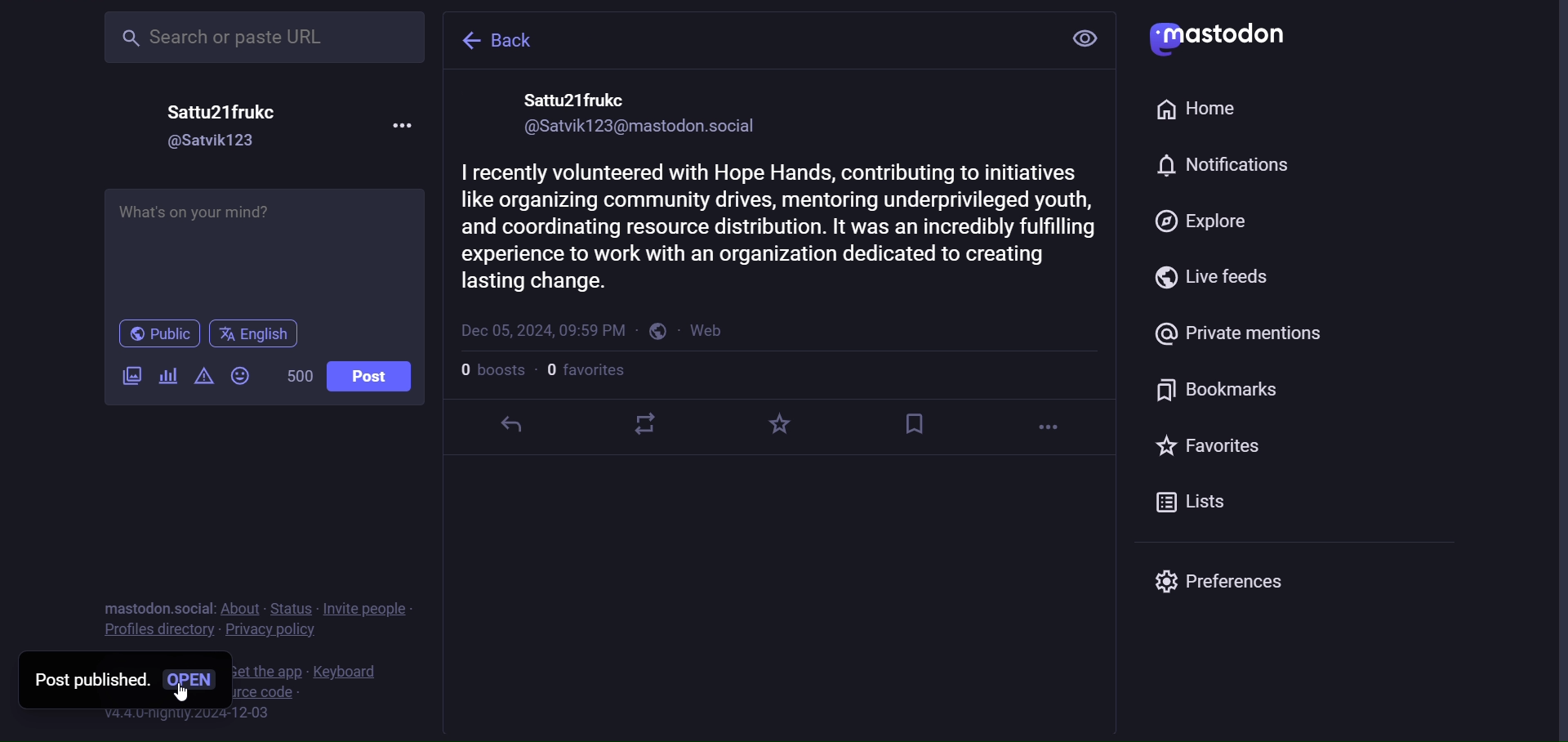 The image size is (1568, 742). I want to click on image/videos, so click(131, 377).